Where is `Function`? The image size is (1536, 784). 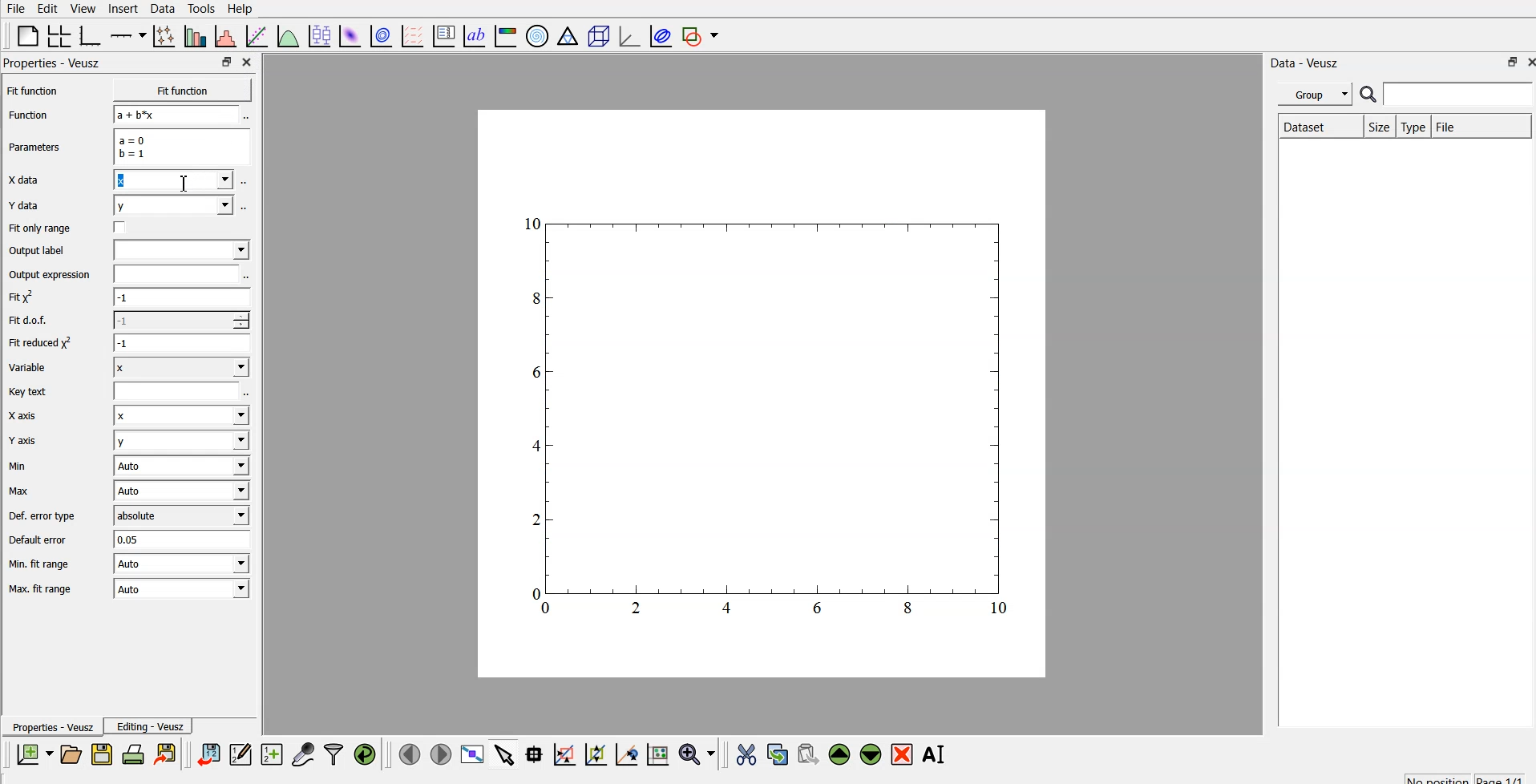
Function is located at coordinates (44, 116).